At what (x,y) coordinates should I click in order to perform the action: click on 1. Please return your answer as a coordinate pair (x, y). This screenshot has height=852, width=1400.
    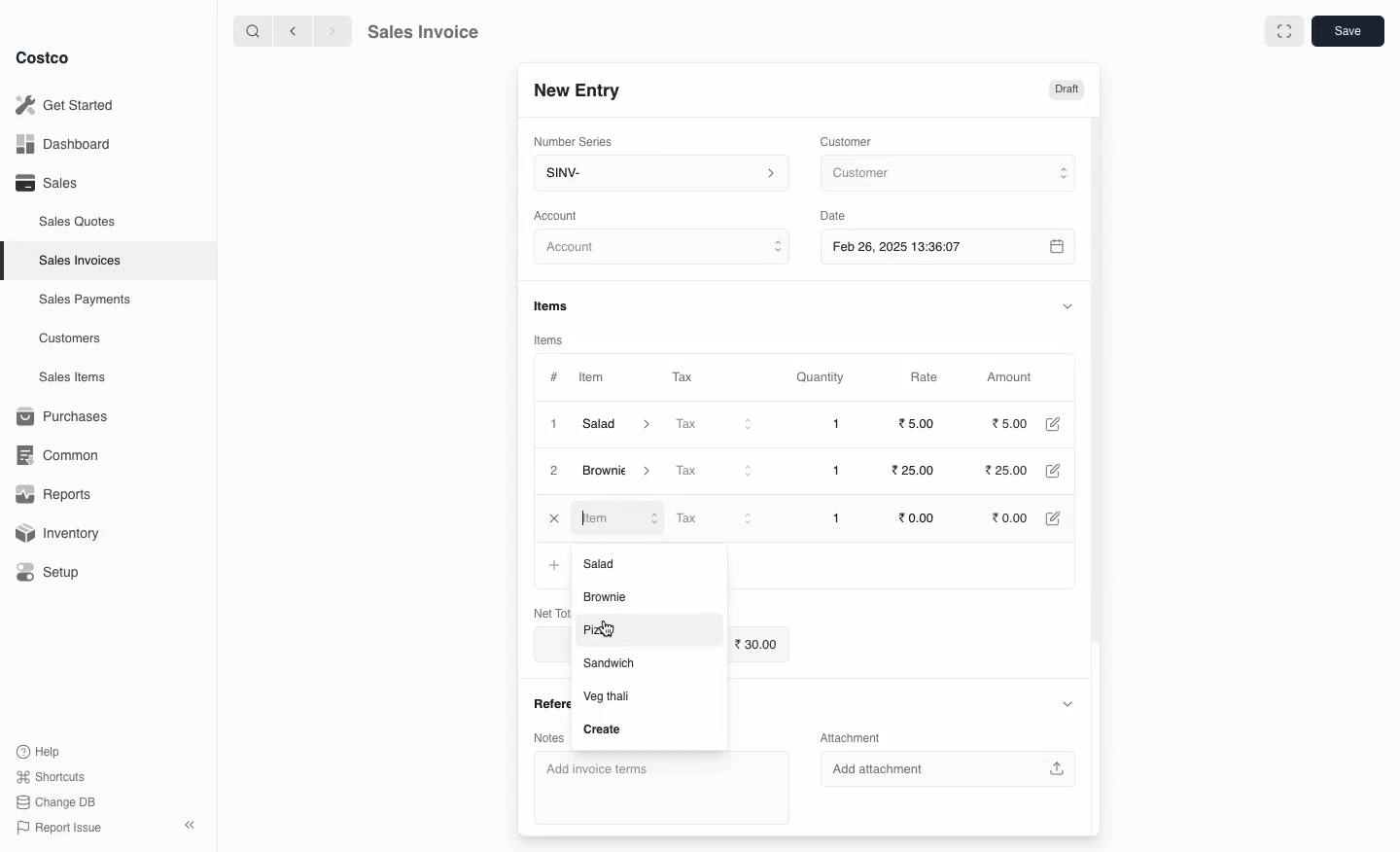
    Looking at the image, I should click on (836, 424).